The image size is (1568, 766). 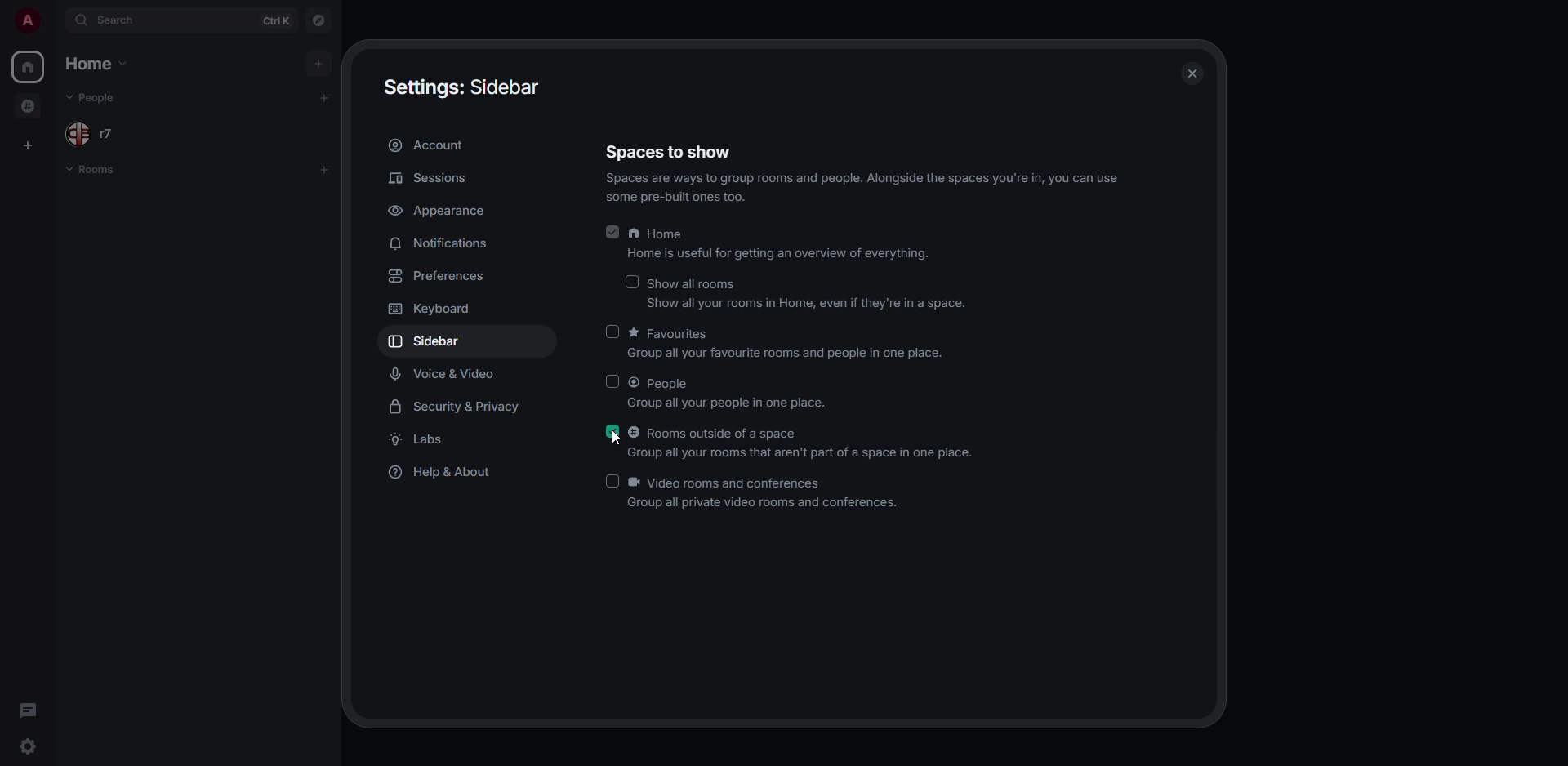 I want to click on people, so click(x=731, y=394).